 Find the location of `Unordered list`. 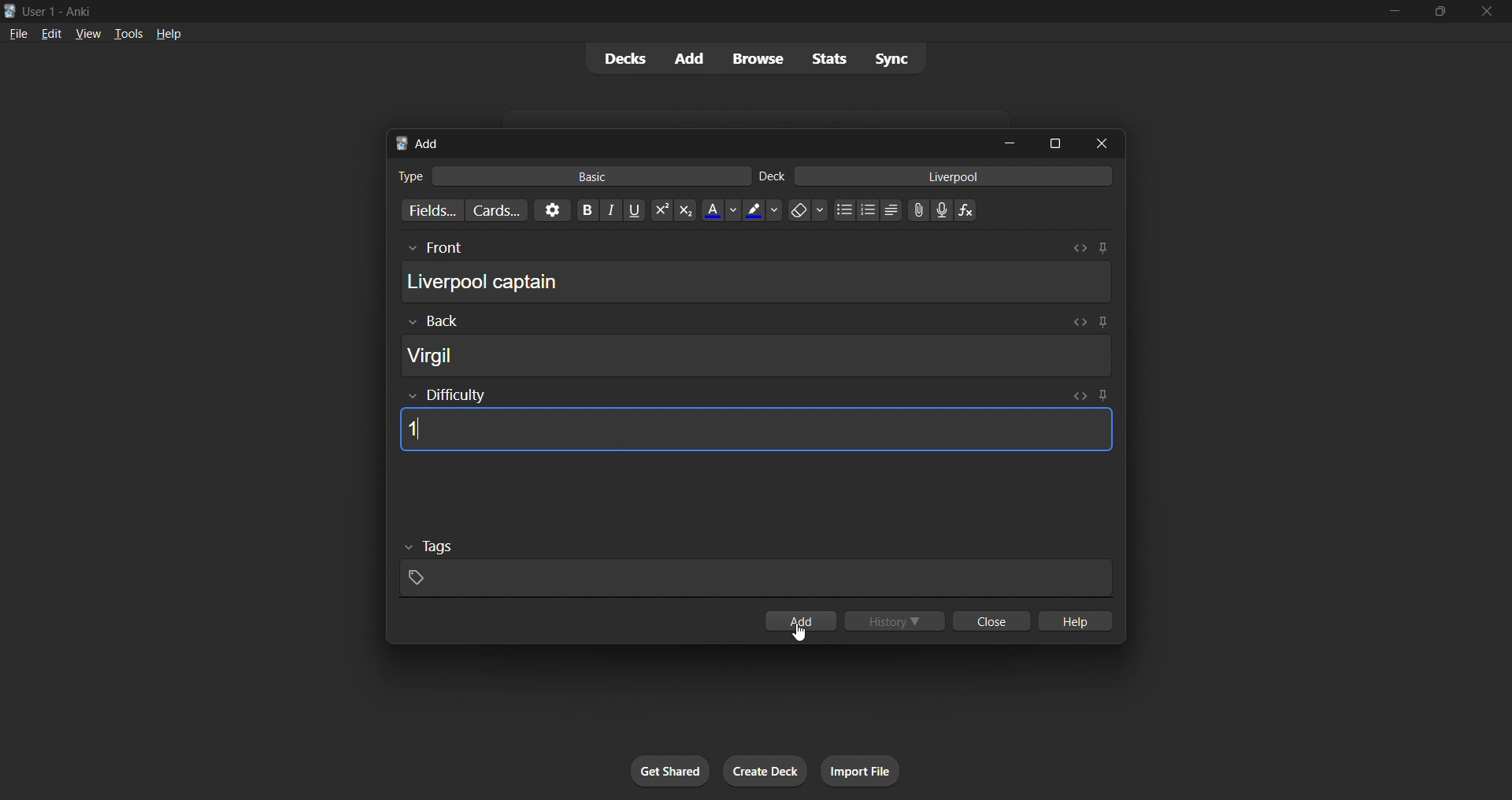

Unordered list is located at coordinates (845, 209).